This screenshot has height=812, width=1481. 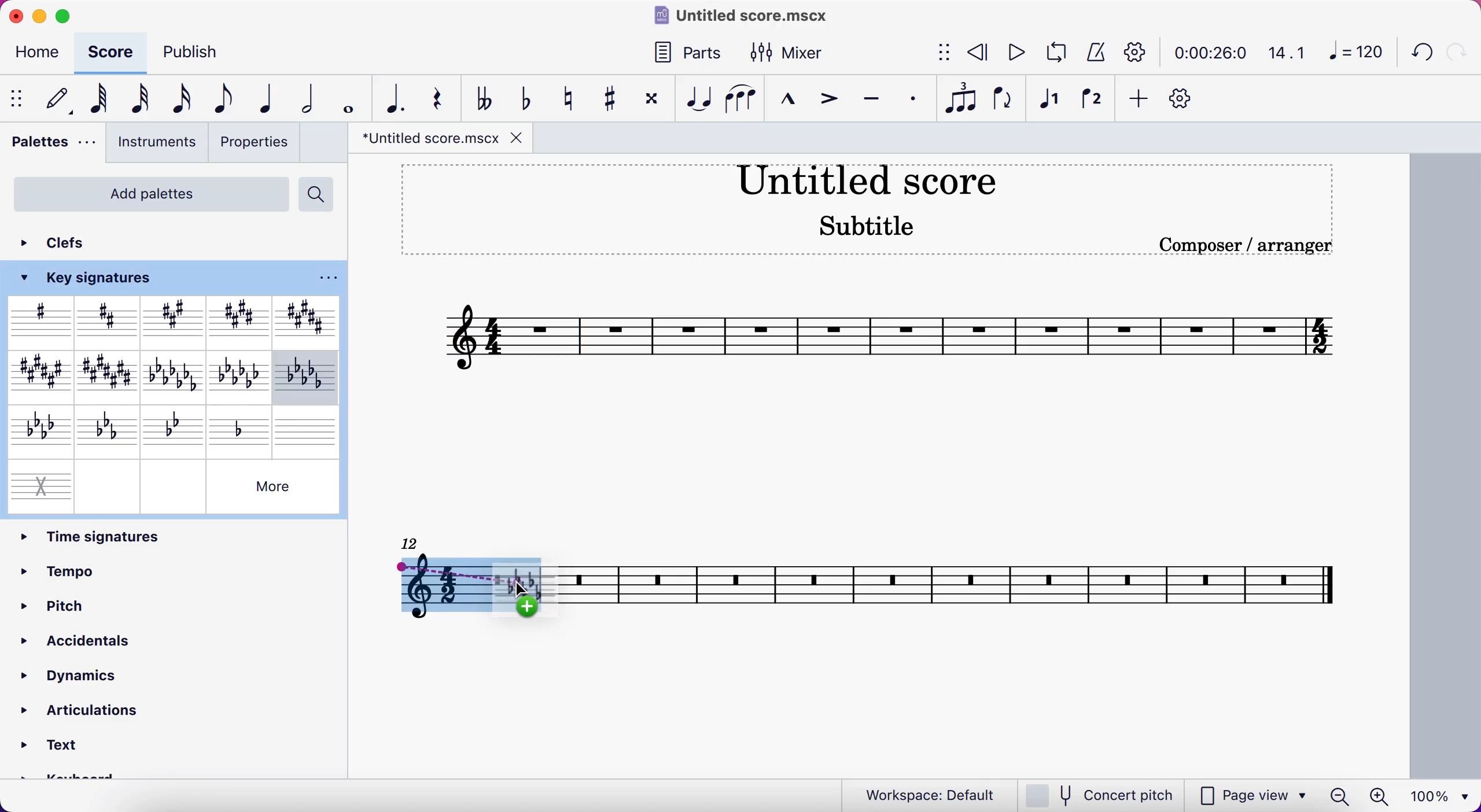 What do you see at coordinates (441, 139) in the screenshot?
I see `file tab` at bounding box center [441, 139].